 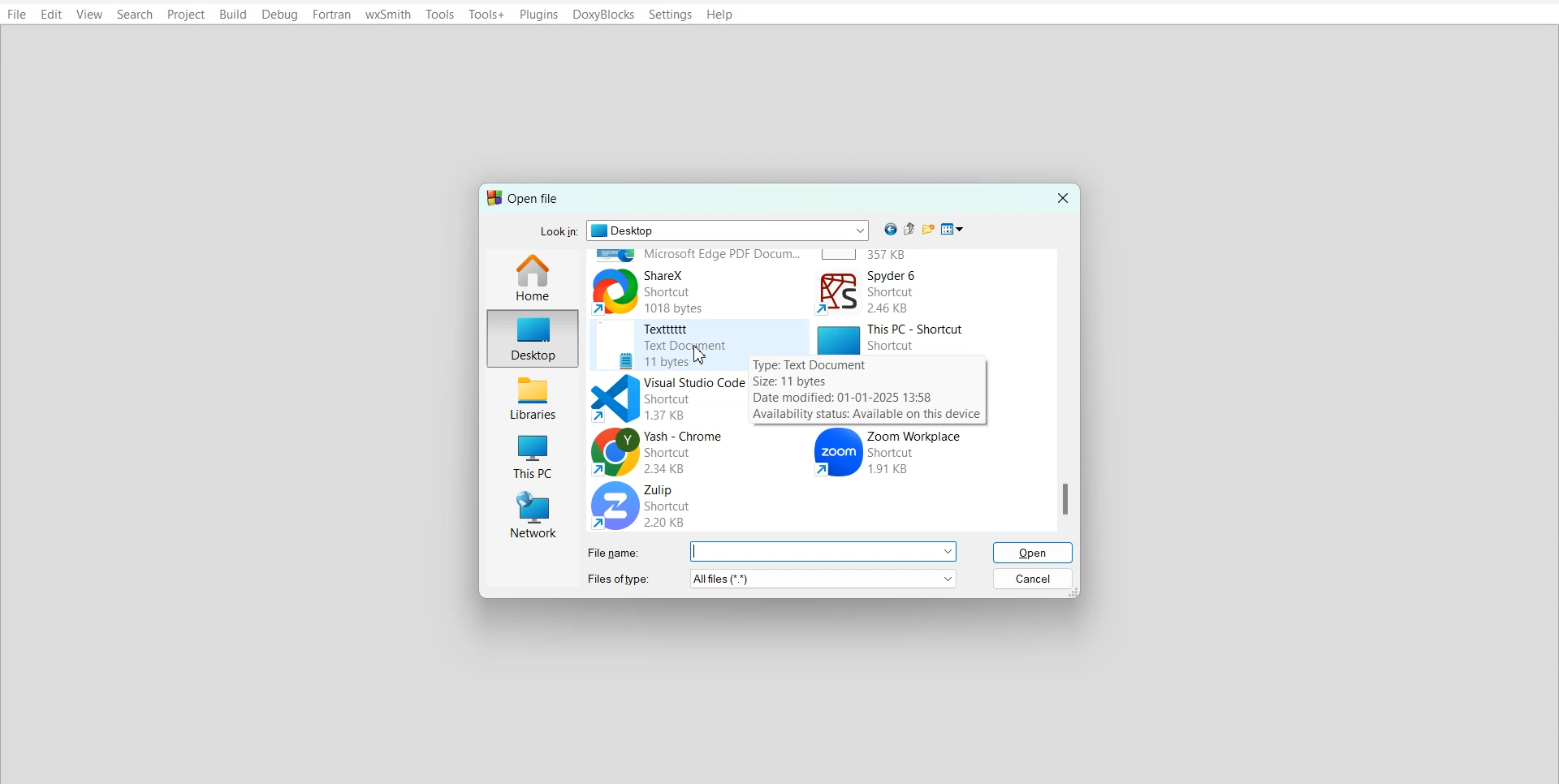 What do you see at coordinates (331, 15) in the screenshot?
I see `Fortran` at bounding box center [331, 15].